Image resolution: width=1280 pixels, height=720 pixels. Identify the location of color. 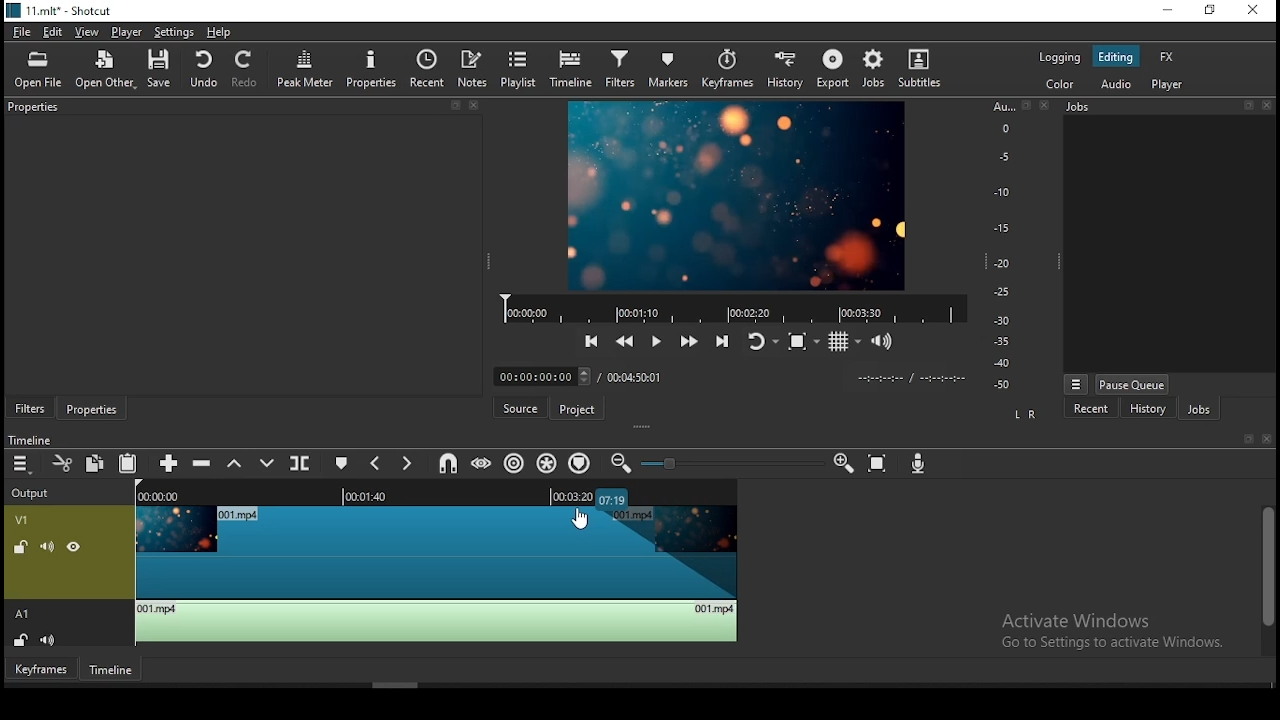
(1067, 86).